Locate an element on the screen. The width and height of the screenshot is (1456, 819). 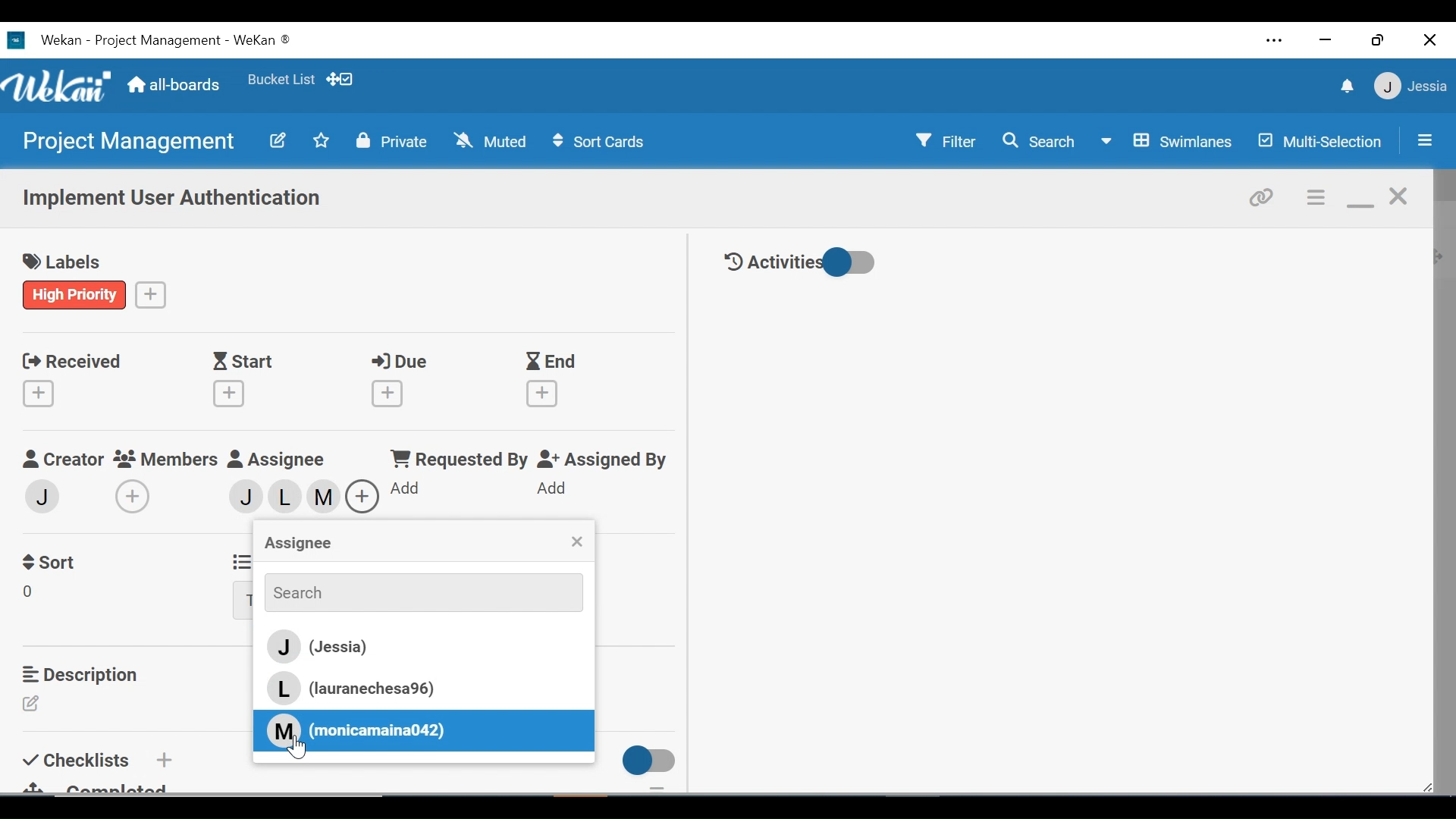
Implement User Authentication is located at coordinates (174, 199).